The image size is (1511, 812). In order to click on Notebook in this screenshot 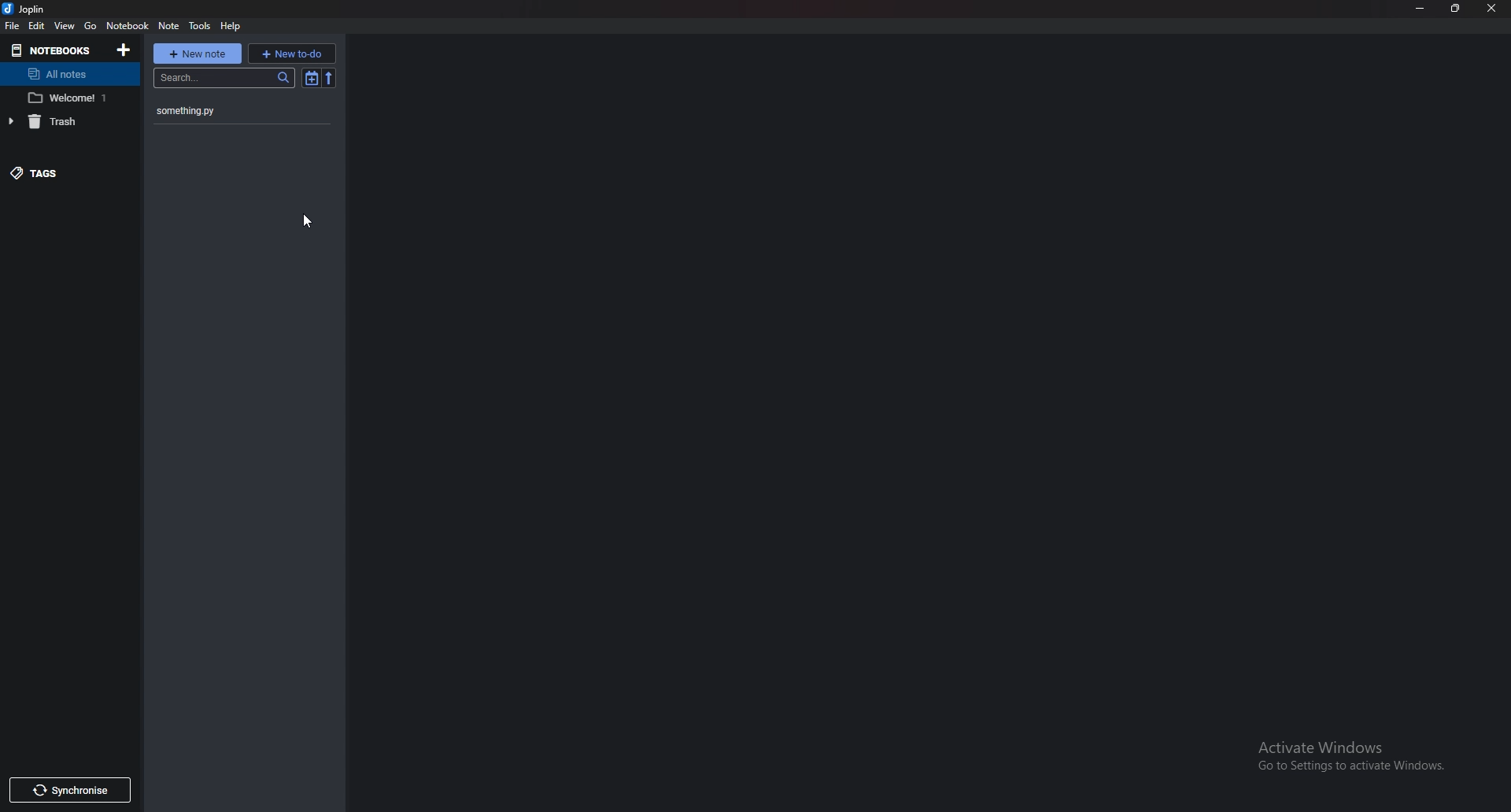, I will do `click(67, 98)`.